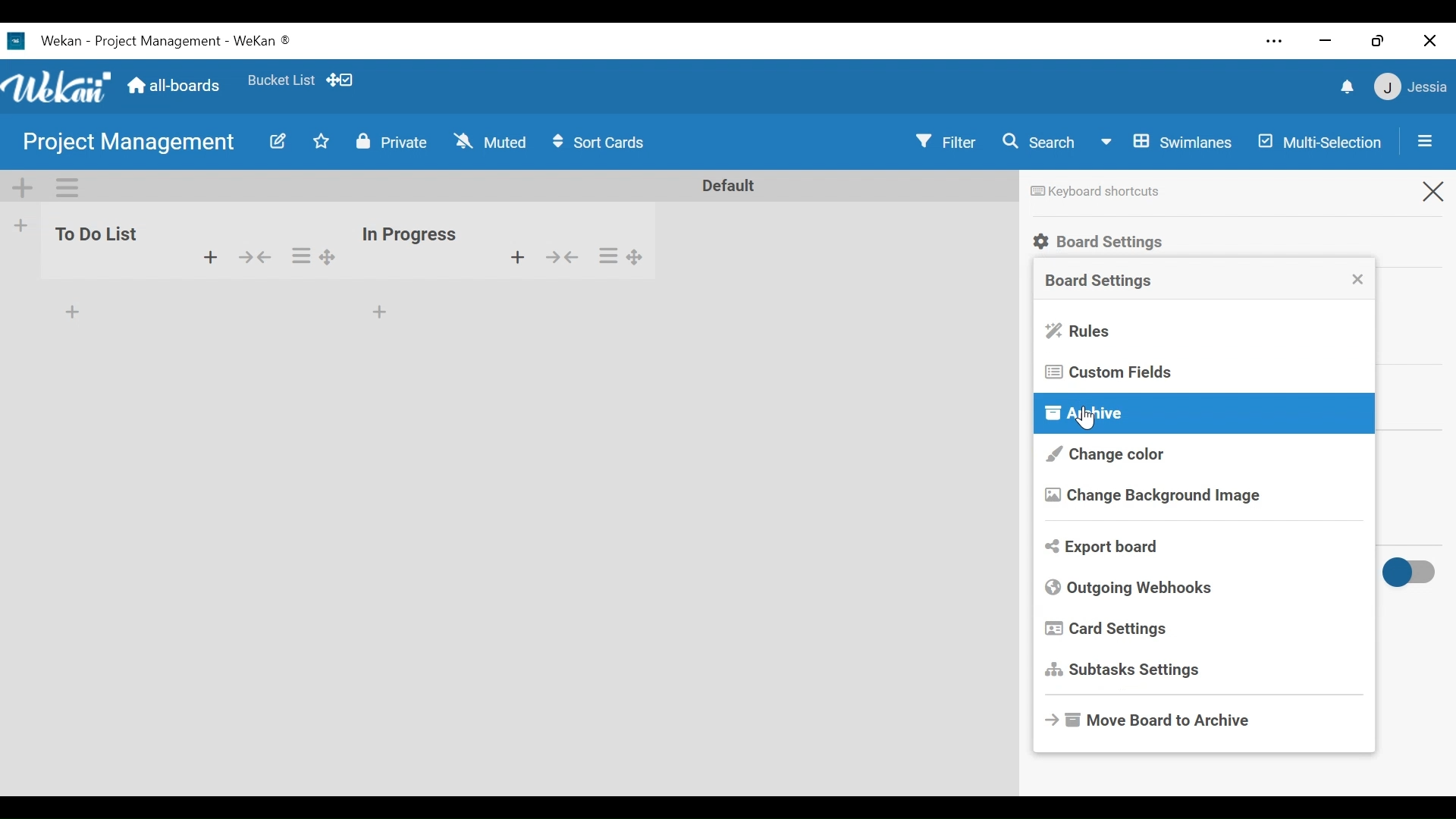 The image size is (1456, 819). I want to click on Wekan Icon, so click(61, 86).